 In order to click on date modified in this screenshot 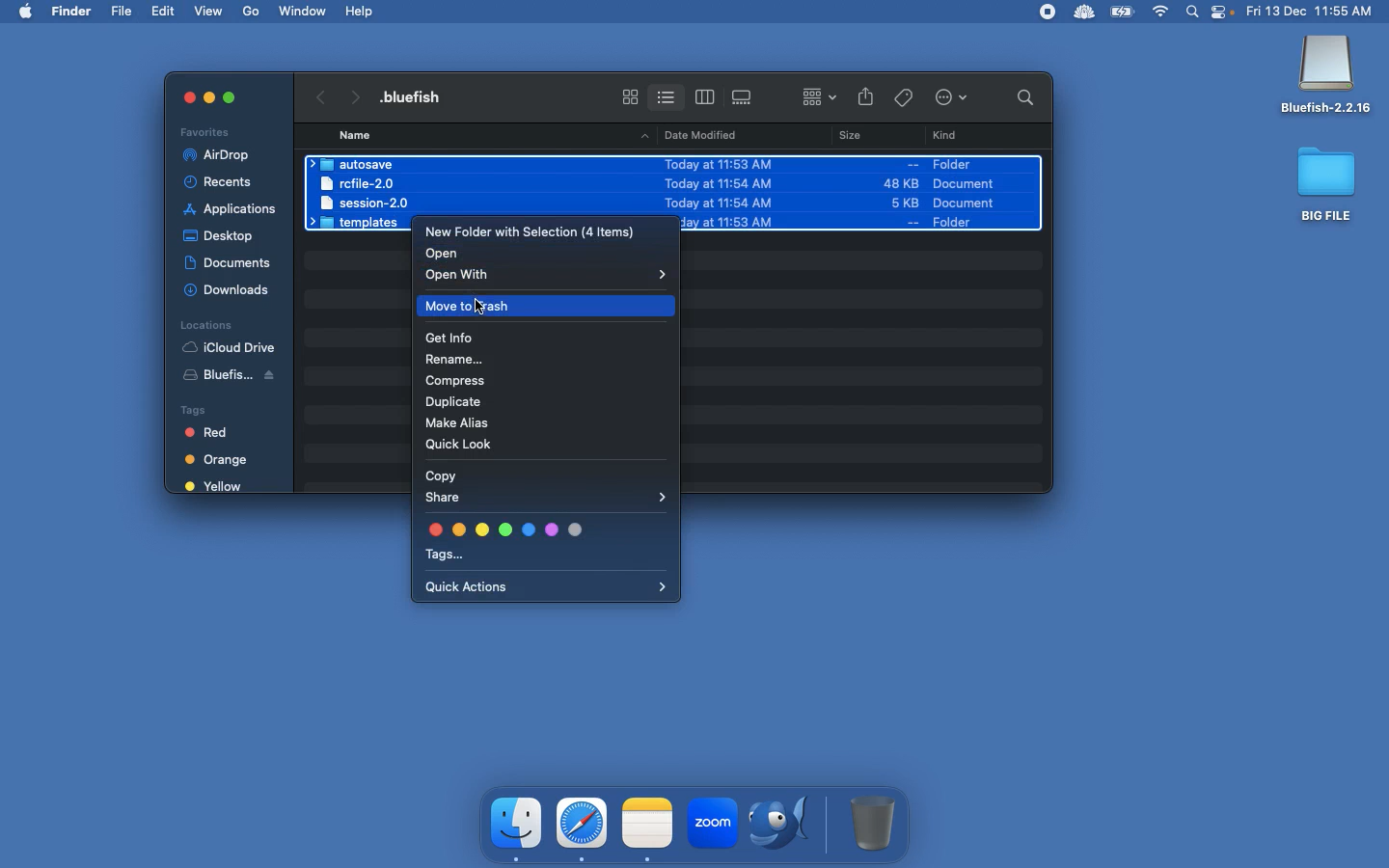, I will do `click(694, 134)`.